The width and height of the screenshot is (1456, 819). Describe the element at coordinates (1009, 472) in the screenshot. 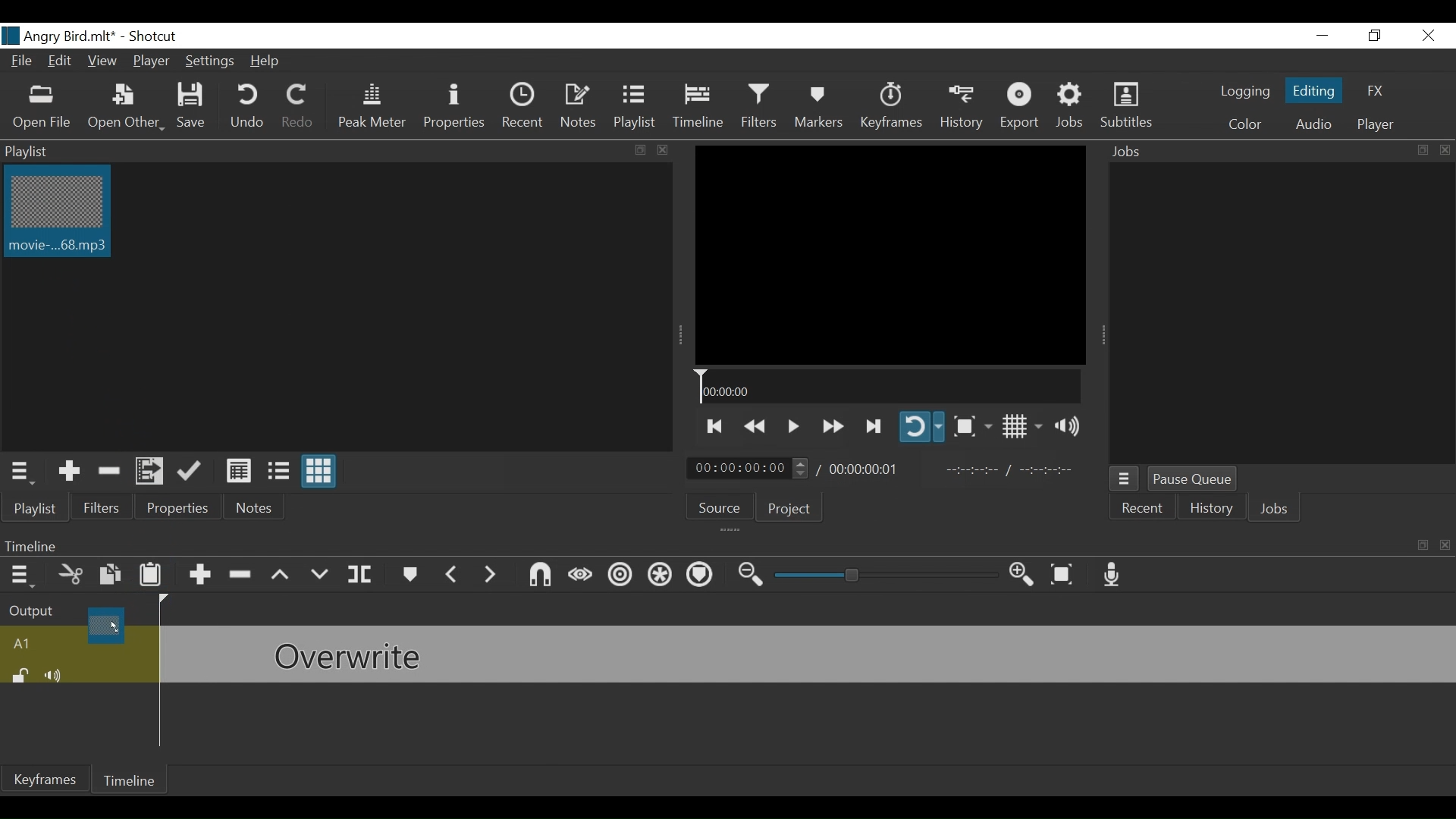

I see `In point` at that location.